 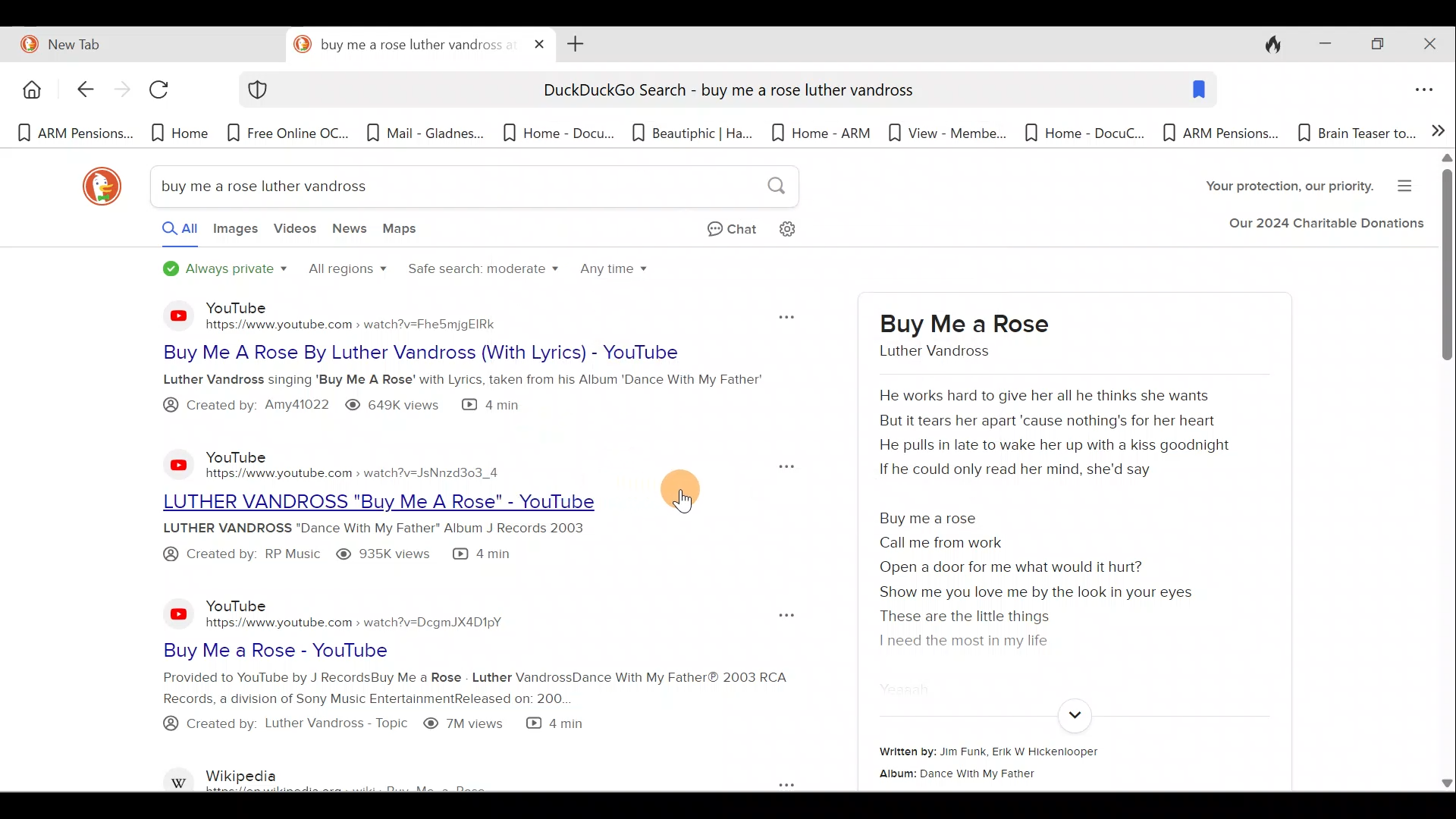 I want to click on Show more bookmarks, so click(x=1439, y=129).